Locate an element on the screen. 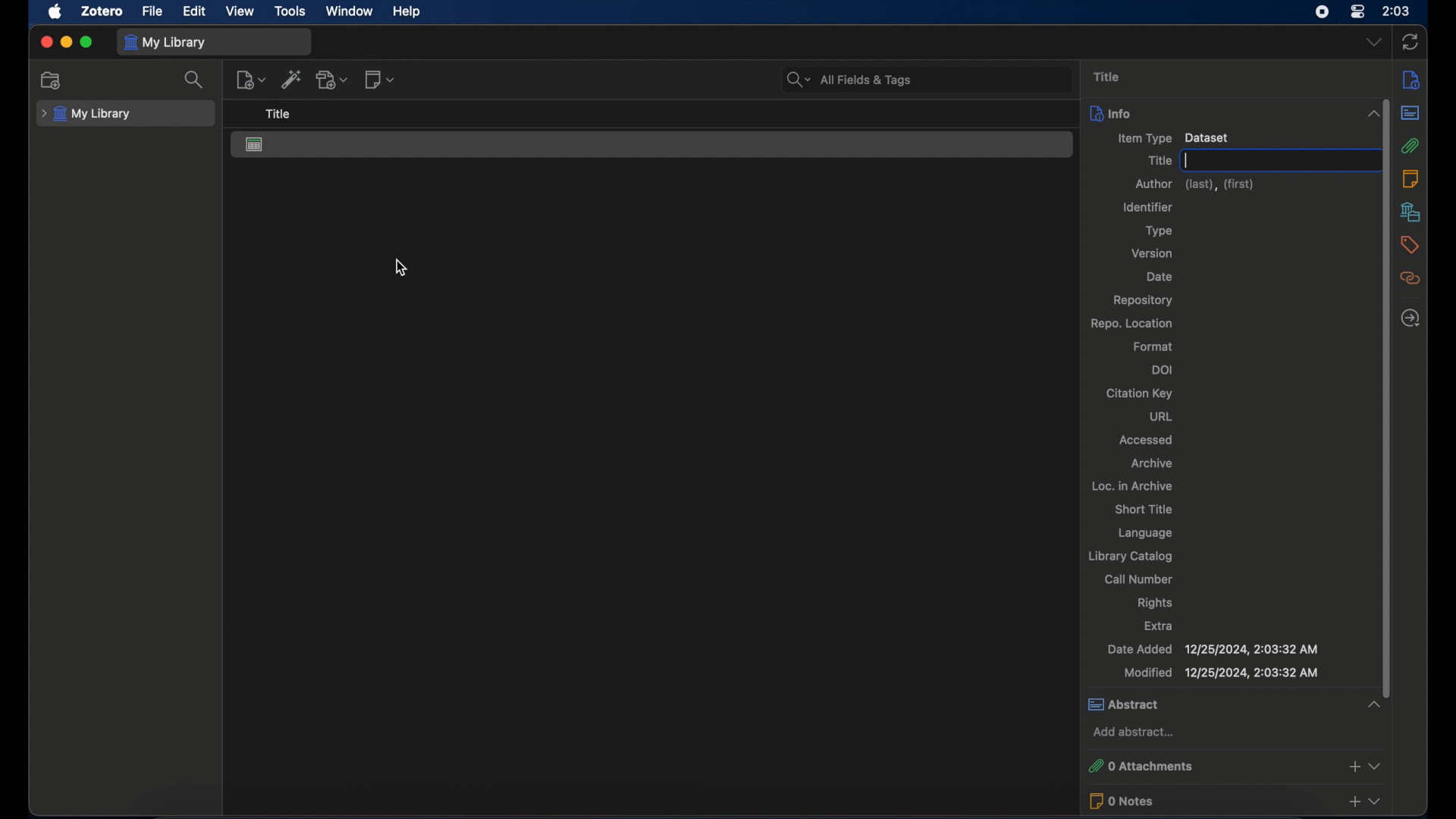 Image resolution: width=1456 pixels, height=819 pixels. time is located at coordinates (1398, 10).